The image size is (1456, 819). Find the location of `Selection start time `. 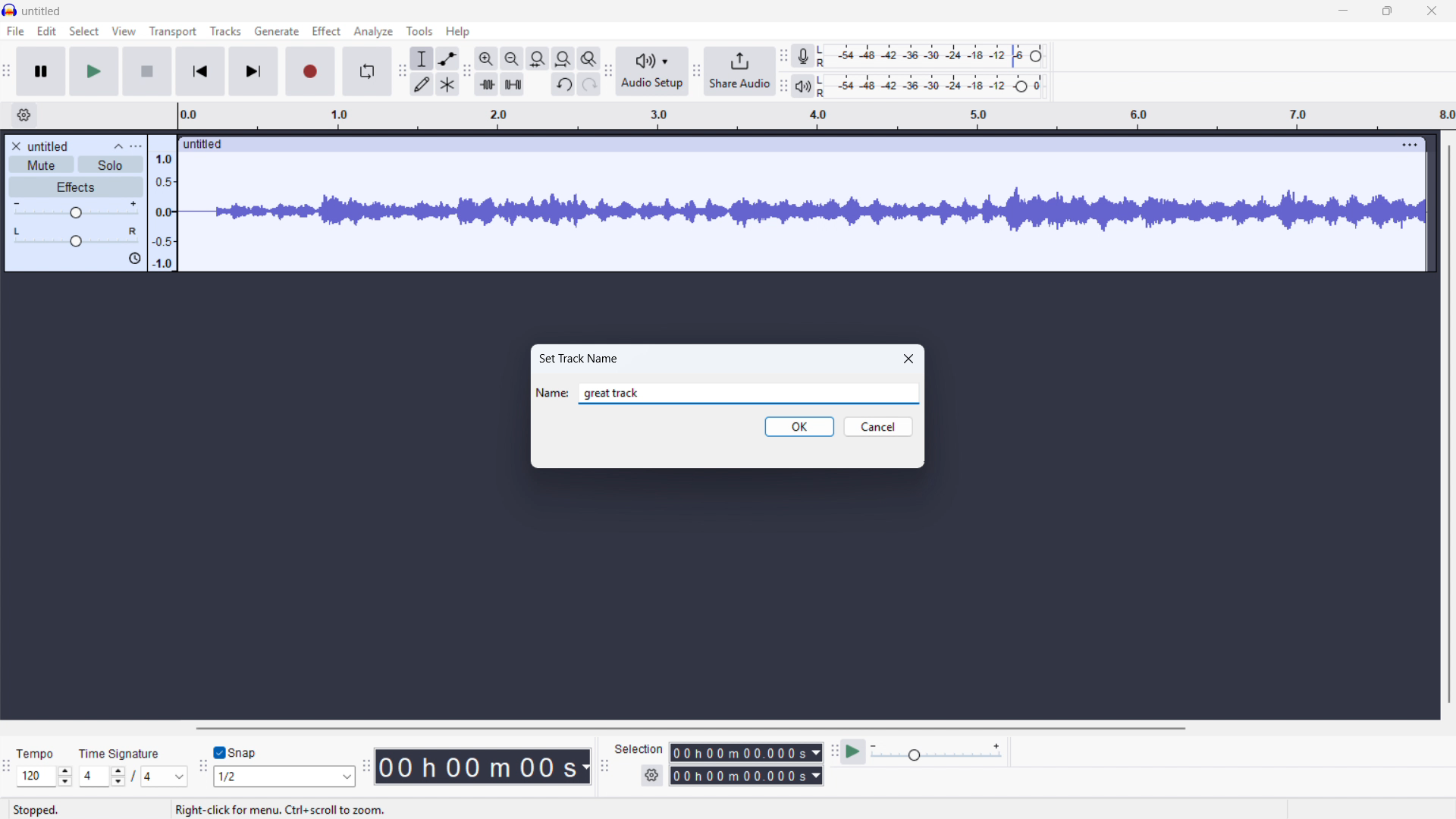

Selection start time  is located at coordinates (747, 753).